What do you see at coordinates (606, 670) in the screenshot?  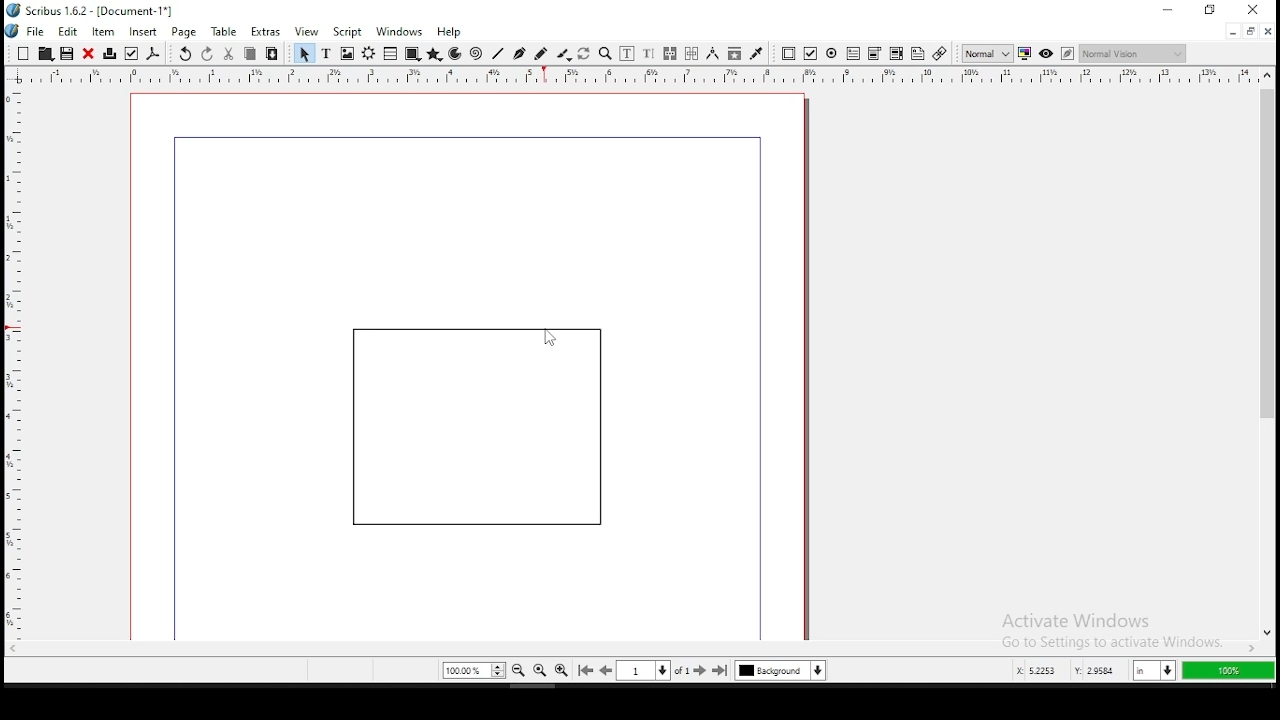 I see `go to previous page` at bounding box center [606, 670].